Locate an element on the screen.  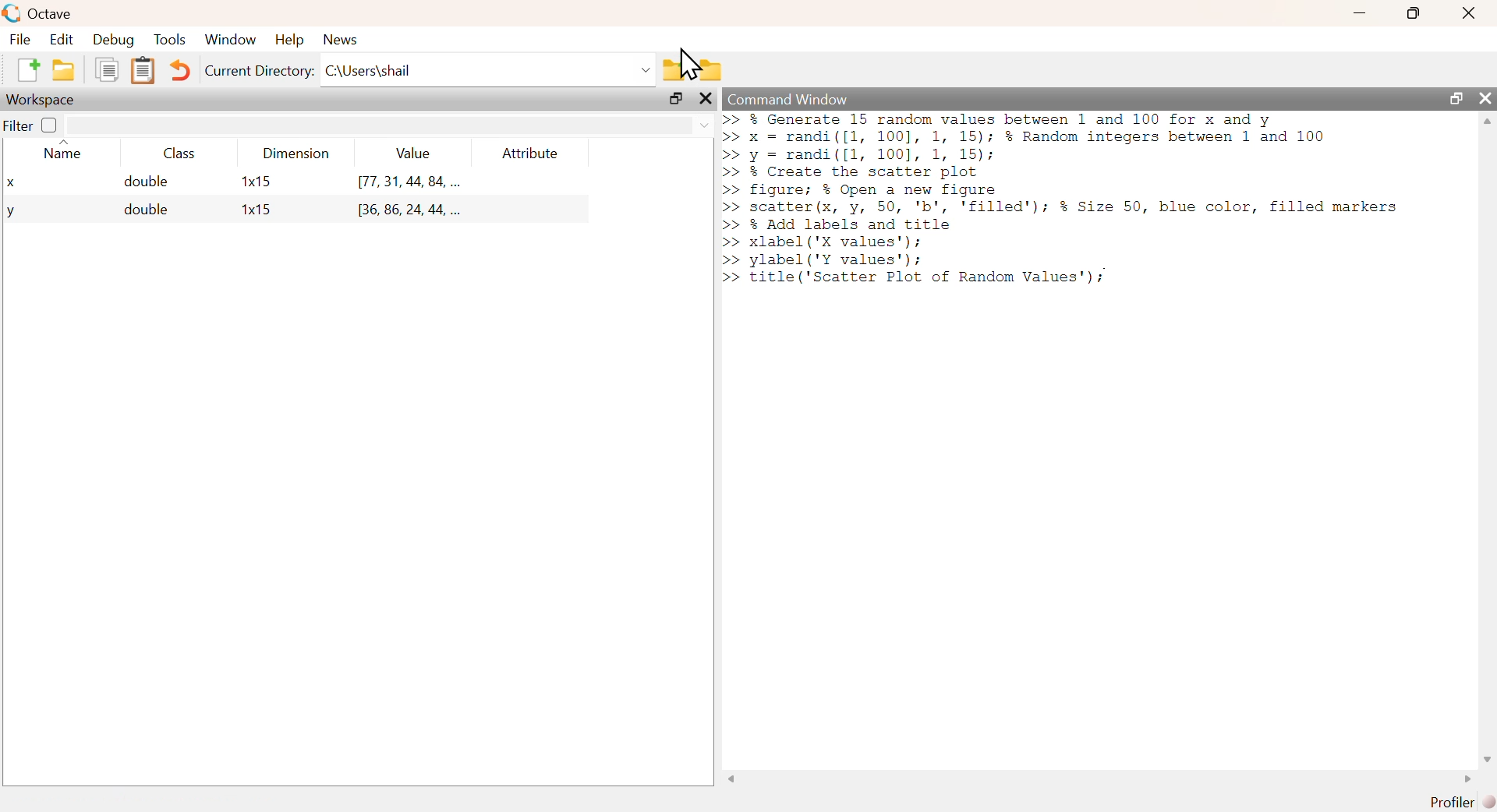
close is located at coordinates (1485, 97).